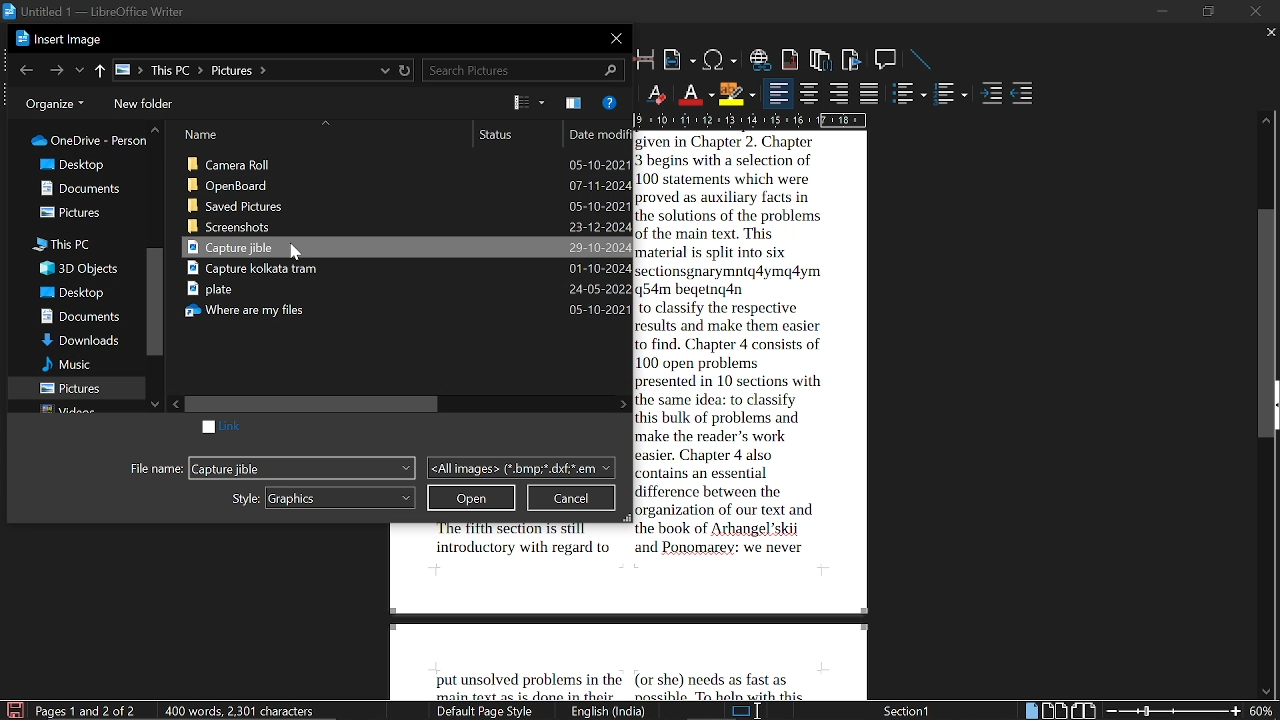 This screenshot has height=720, width=1280. I want to click on move up in folders, so click(156, 129).